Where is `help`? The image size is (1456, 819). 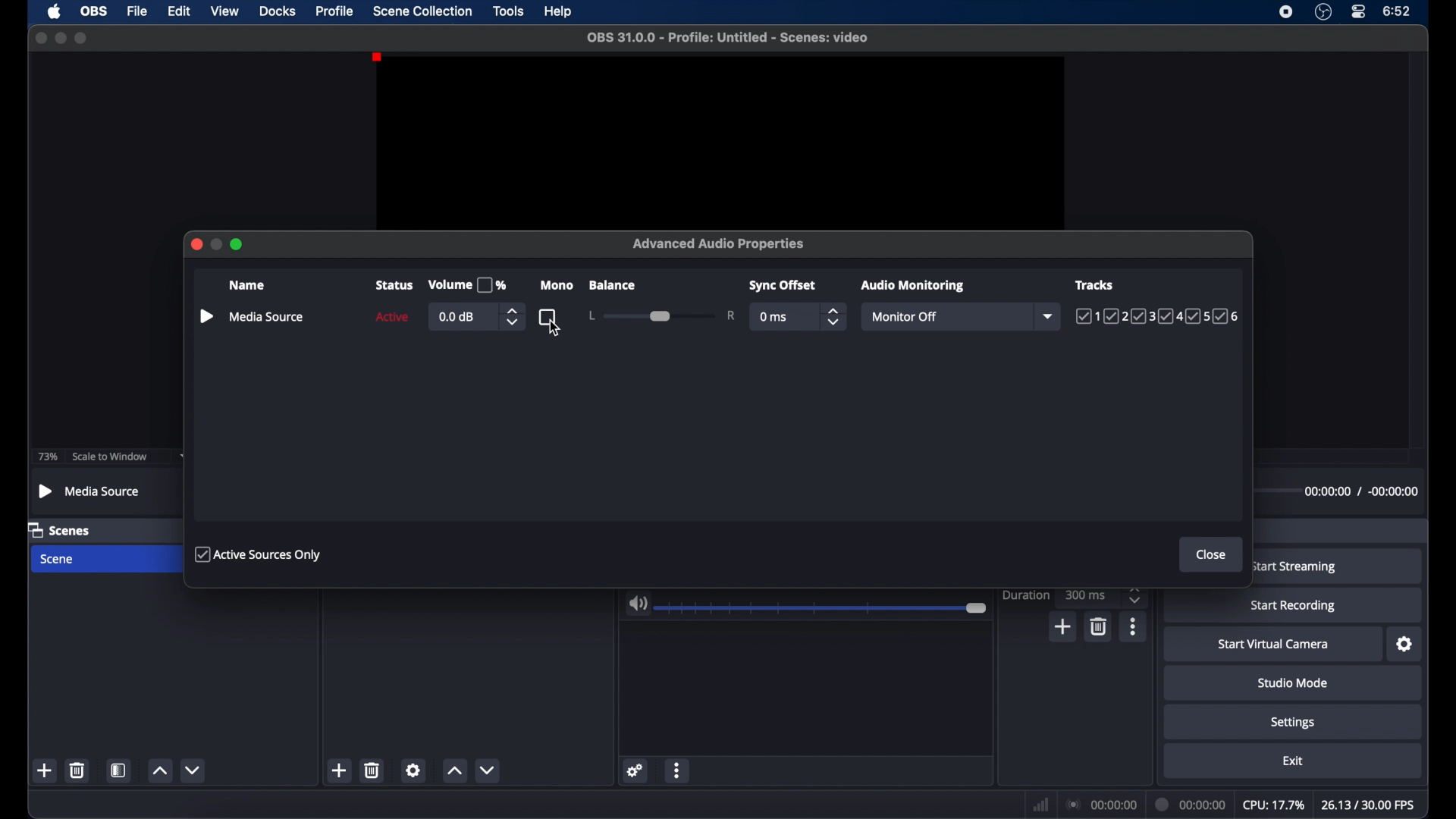 help is located at coordinates (559, 12).